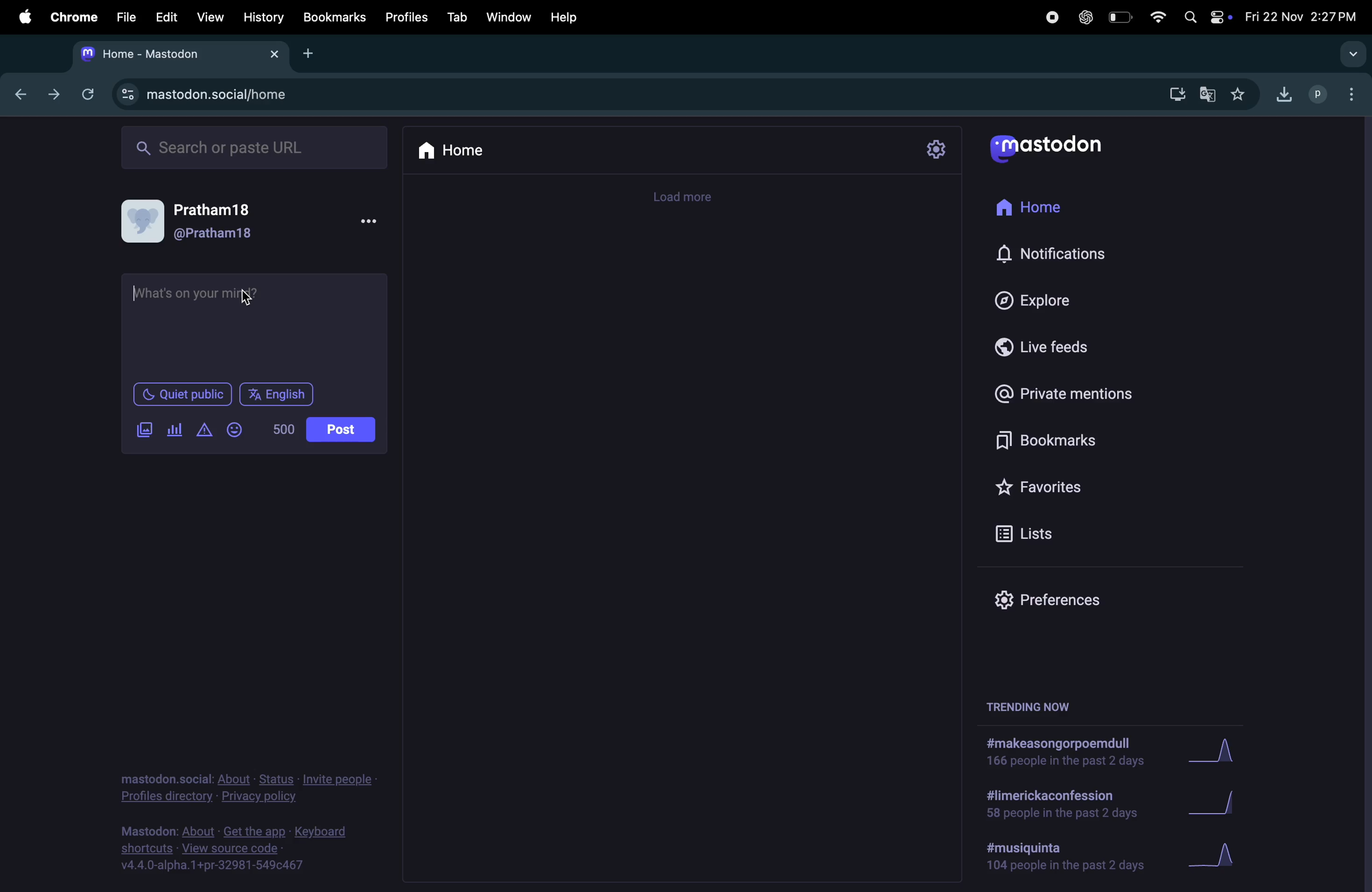 Image resolution: width=1372 pixels, height=892 pixels. Describe the element at coordinates (203, 430) in the screenshot. I see `content warning` at that location.